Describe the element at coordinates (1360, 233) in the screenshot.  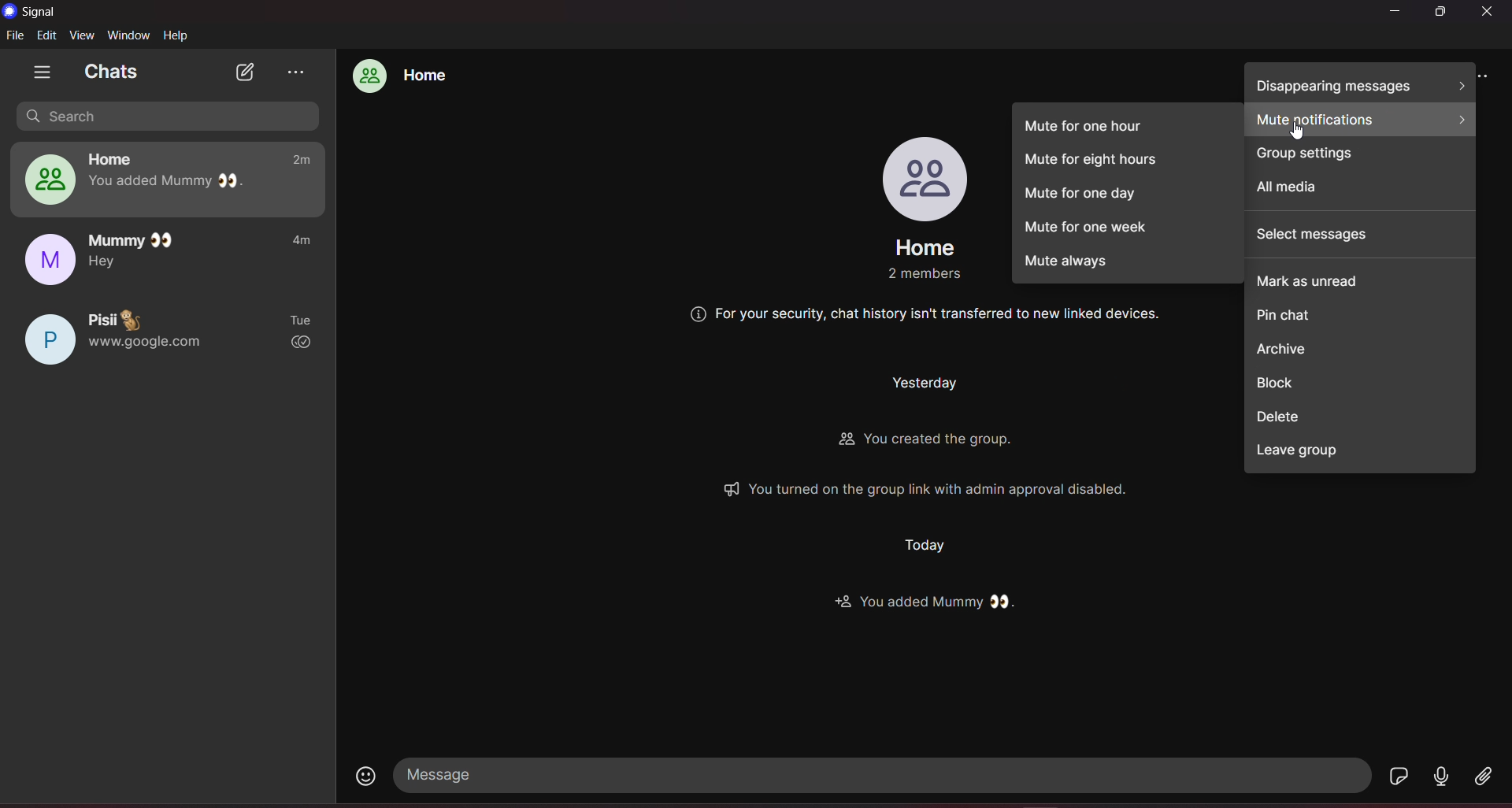
I see `select messages` at that location.